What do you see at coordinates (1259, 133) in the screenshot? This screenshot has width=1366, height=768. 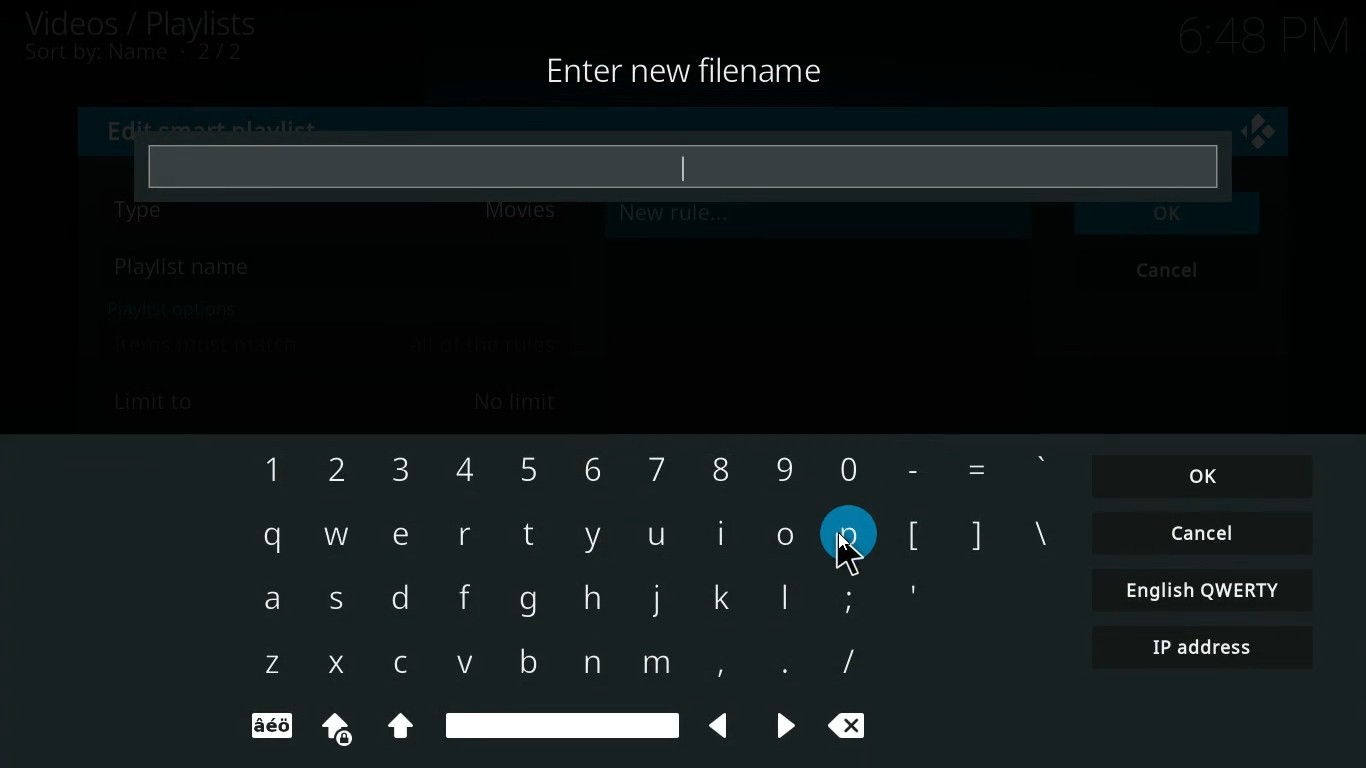 I see `kodi logo` at bounding box center [1259, 133].